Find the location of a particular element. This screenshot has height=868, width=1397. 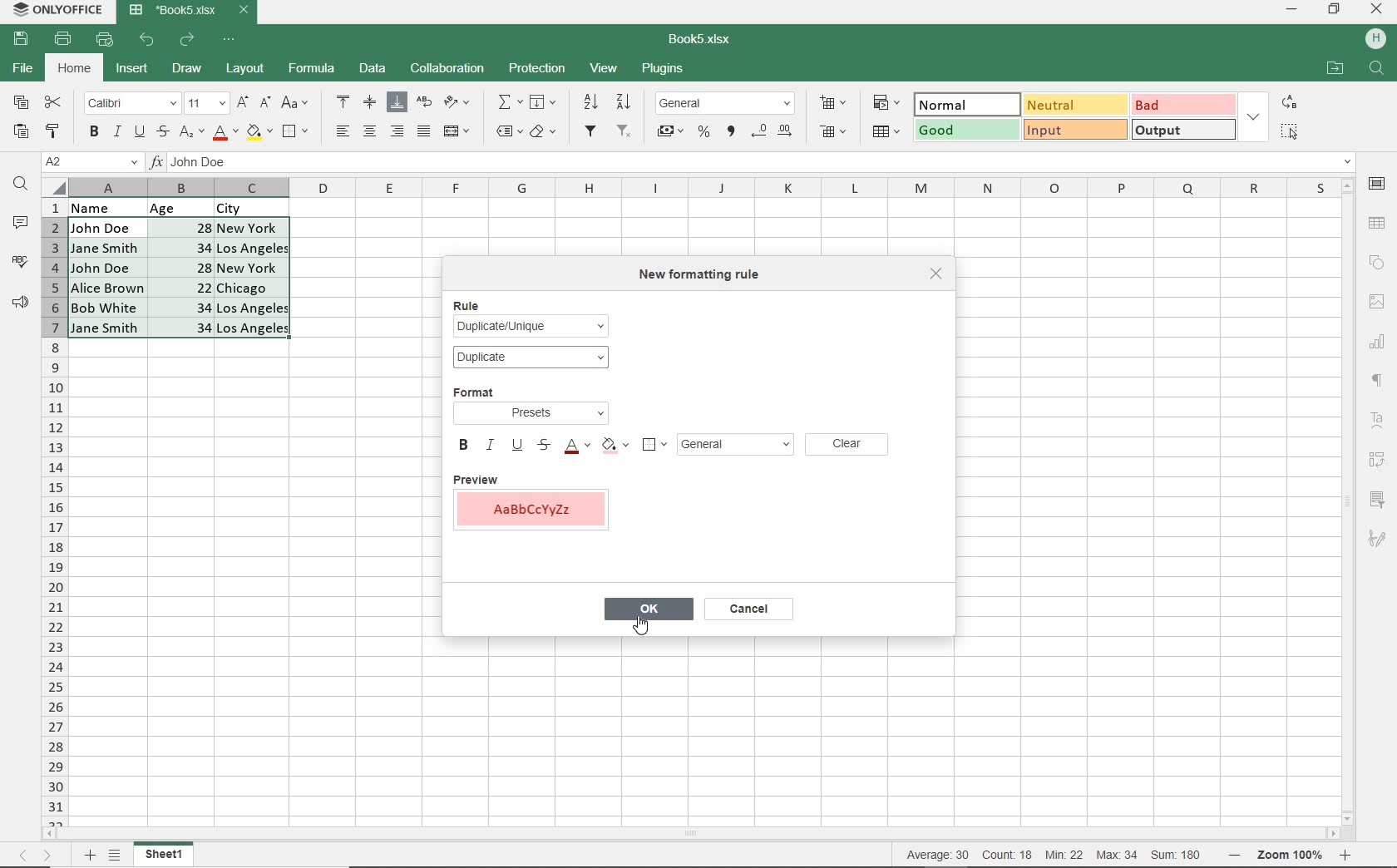

COMMENTS is located at coordinates (23, 223).